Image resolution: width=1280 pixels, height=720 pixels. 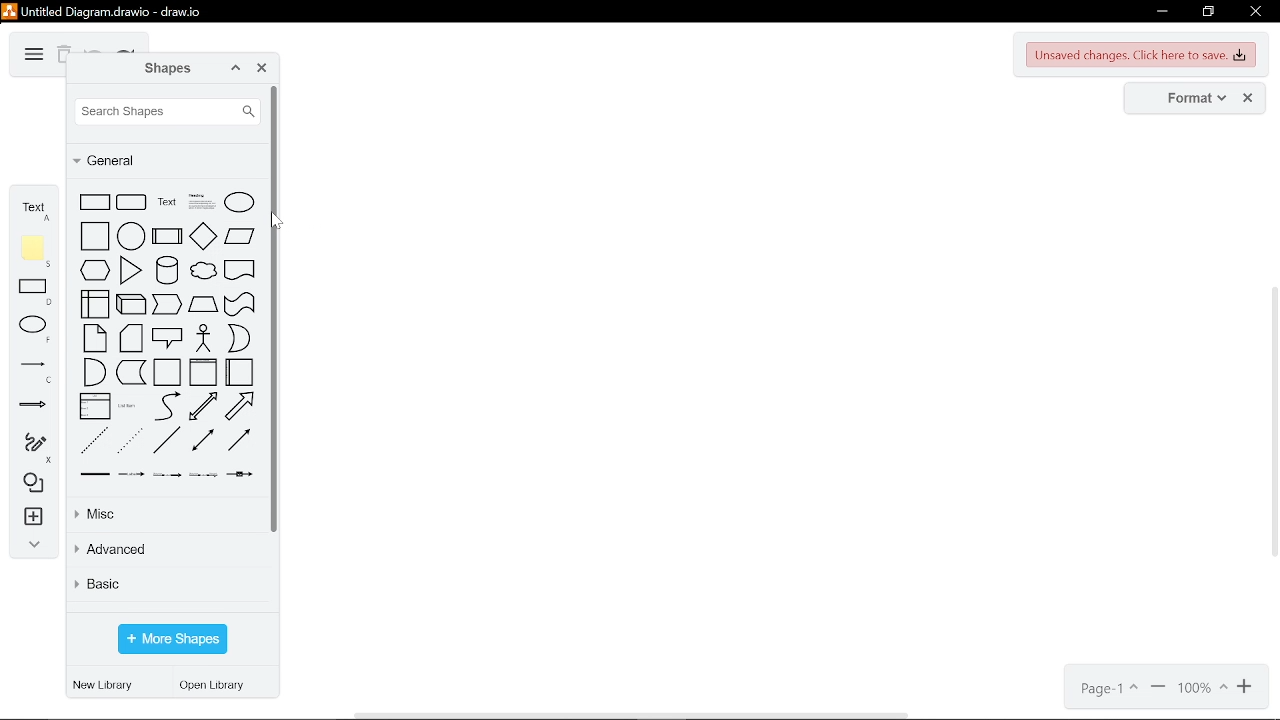 What do you see at coordinates (239, 202) in the screenshot?
I see `ellipse` at bounding box center [239, 202].